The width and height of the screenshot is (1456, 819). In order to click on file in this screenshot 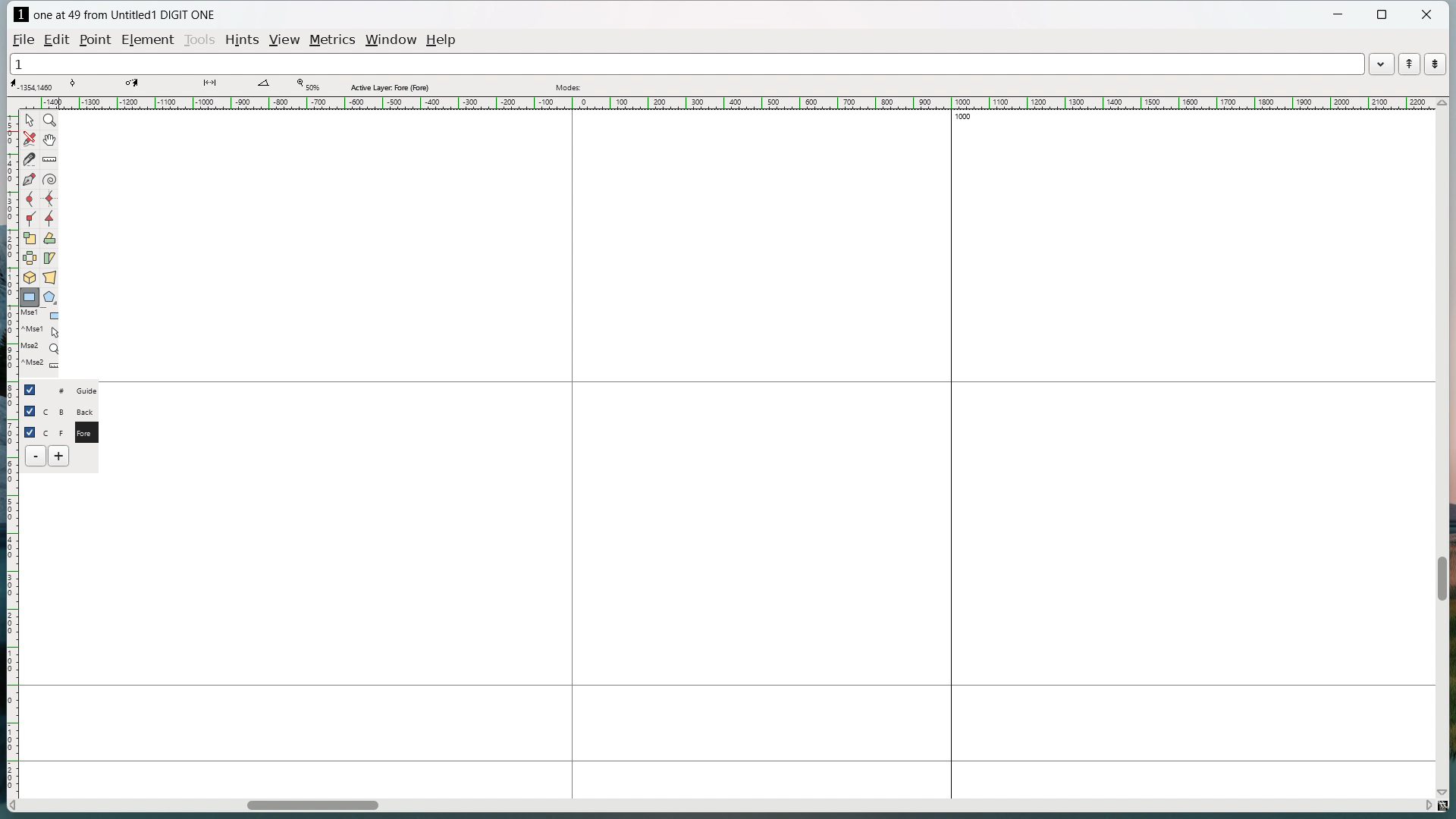, I will do `click(24, 39)`.